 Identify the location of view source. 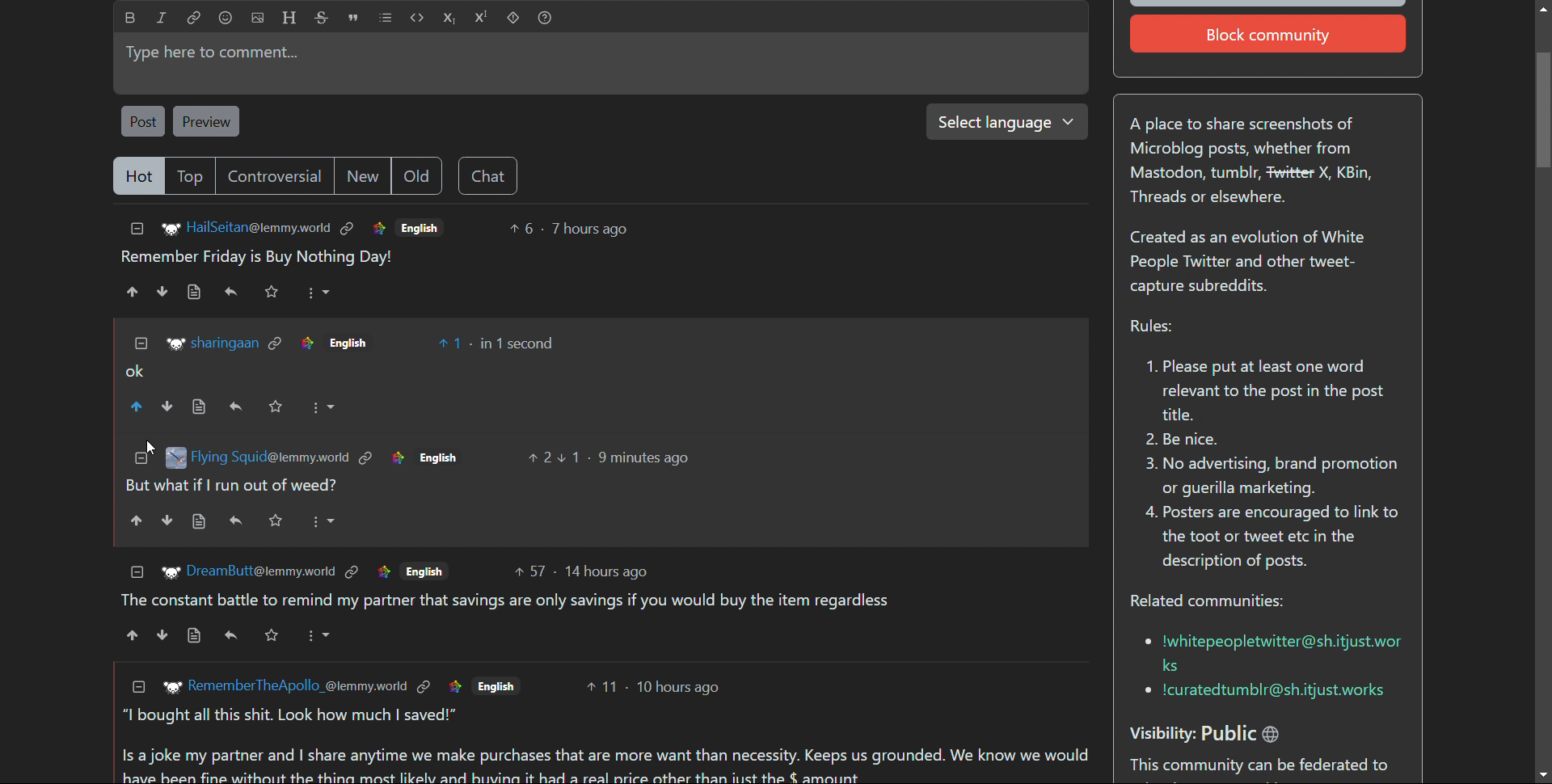
(193, 634).